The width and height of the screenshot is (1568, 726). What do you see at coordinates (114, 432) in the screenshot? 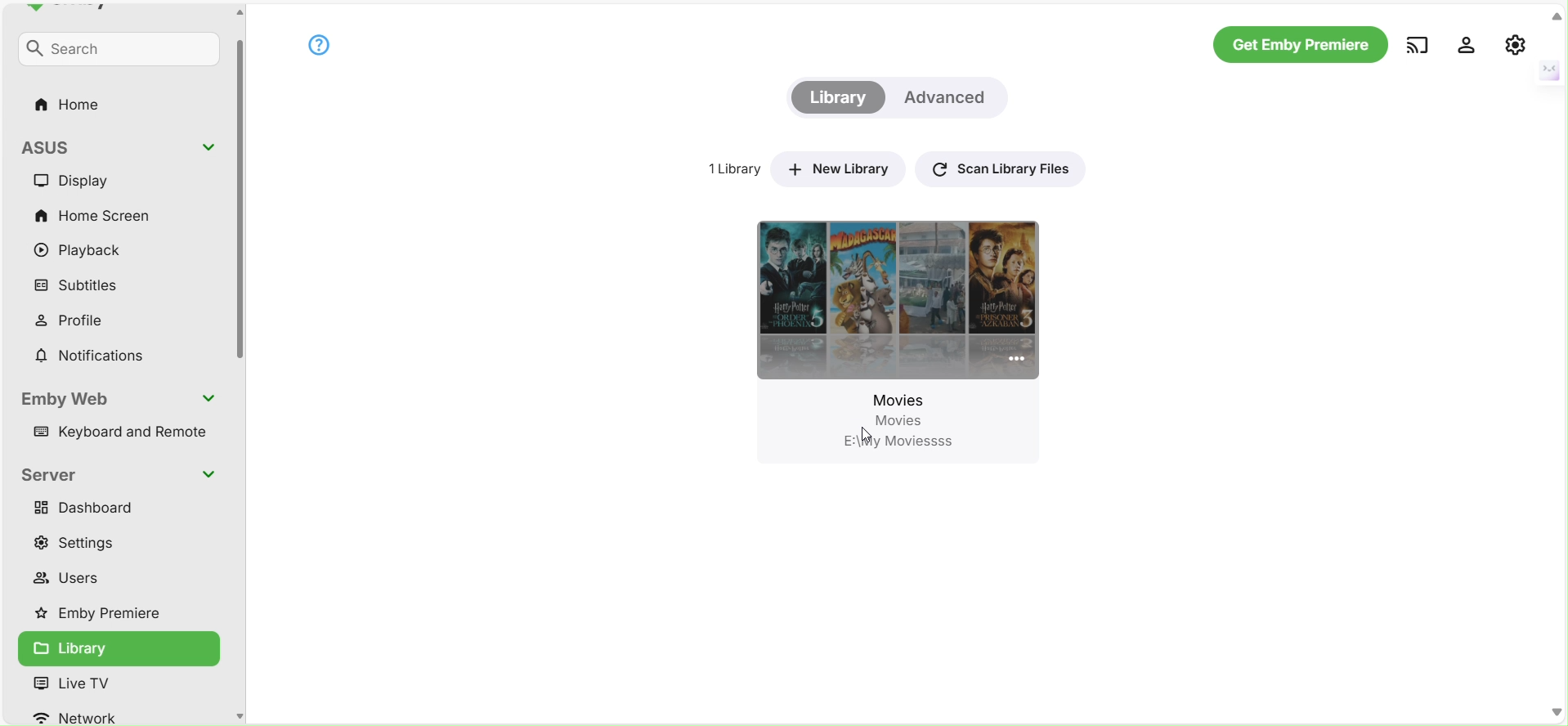
I see `Keyboard and Remote` at bounding box center [114, 432].